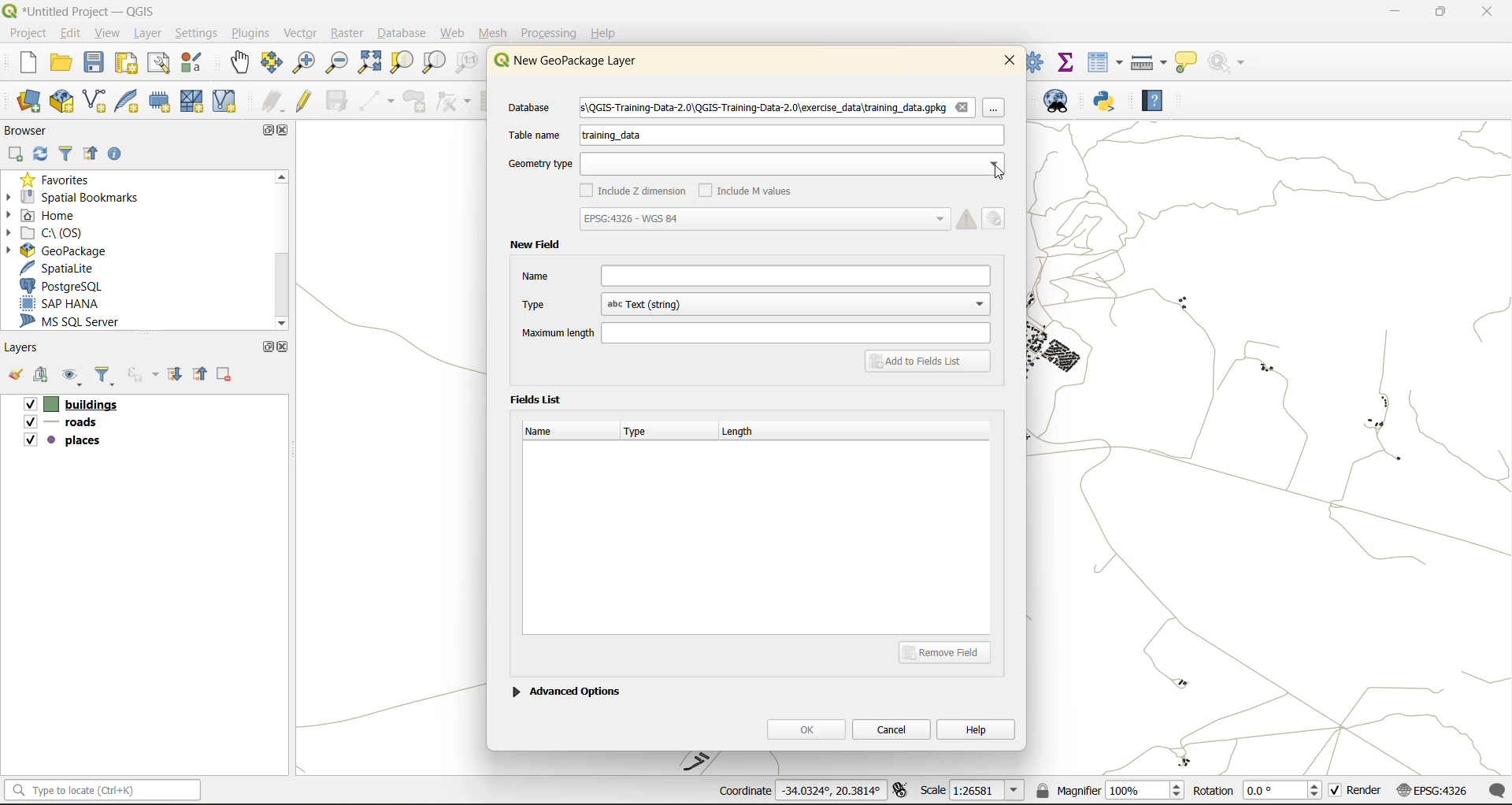 The image size is (1512, 805). Describe the element at coordinates (347, 34) in the screenshot. I see `raster` at that location.